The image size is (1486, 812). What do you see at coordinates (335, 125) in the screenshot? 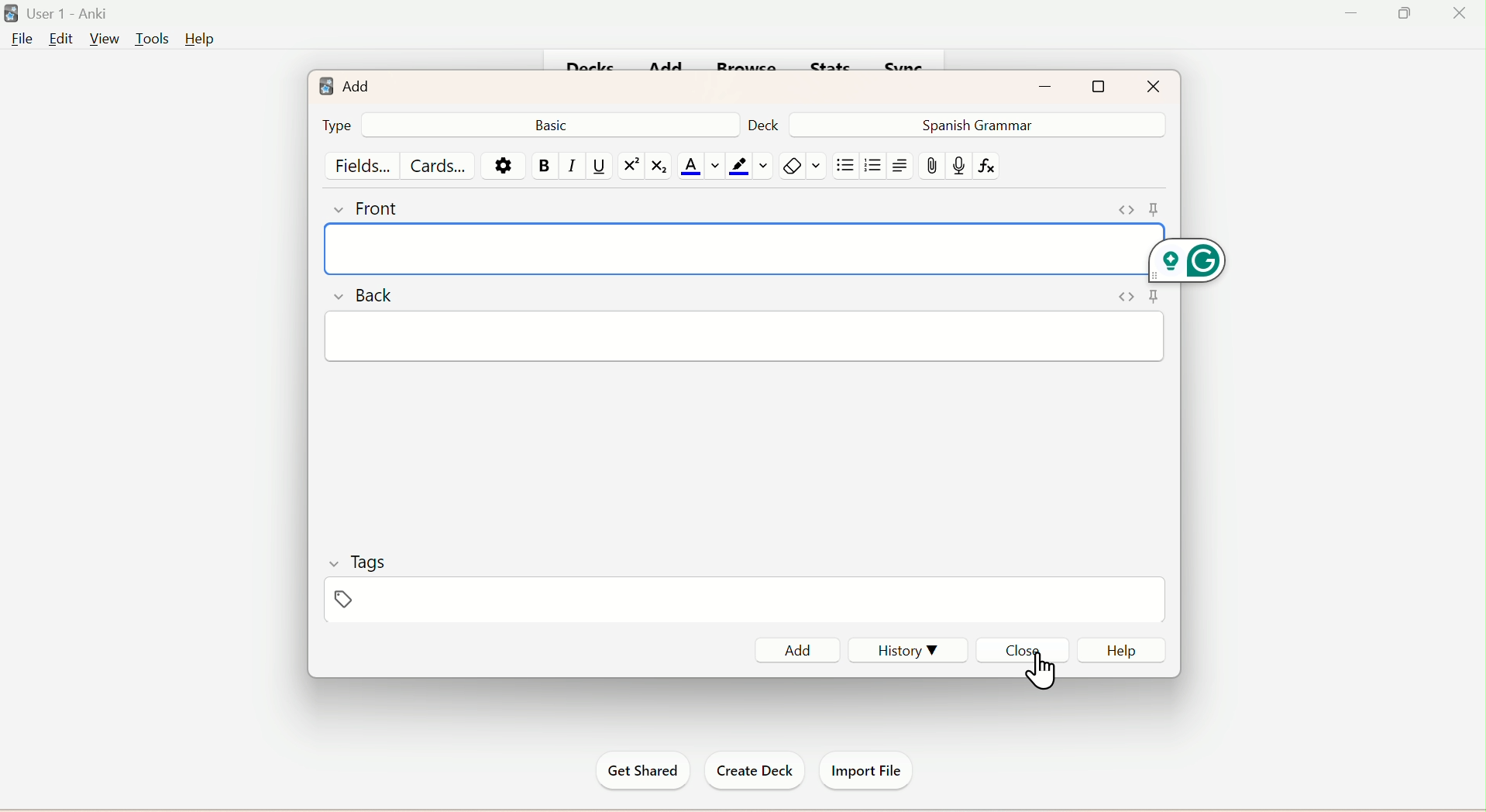
I see `Type` at bounding box center [335, 125].